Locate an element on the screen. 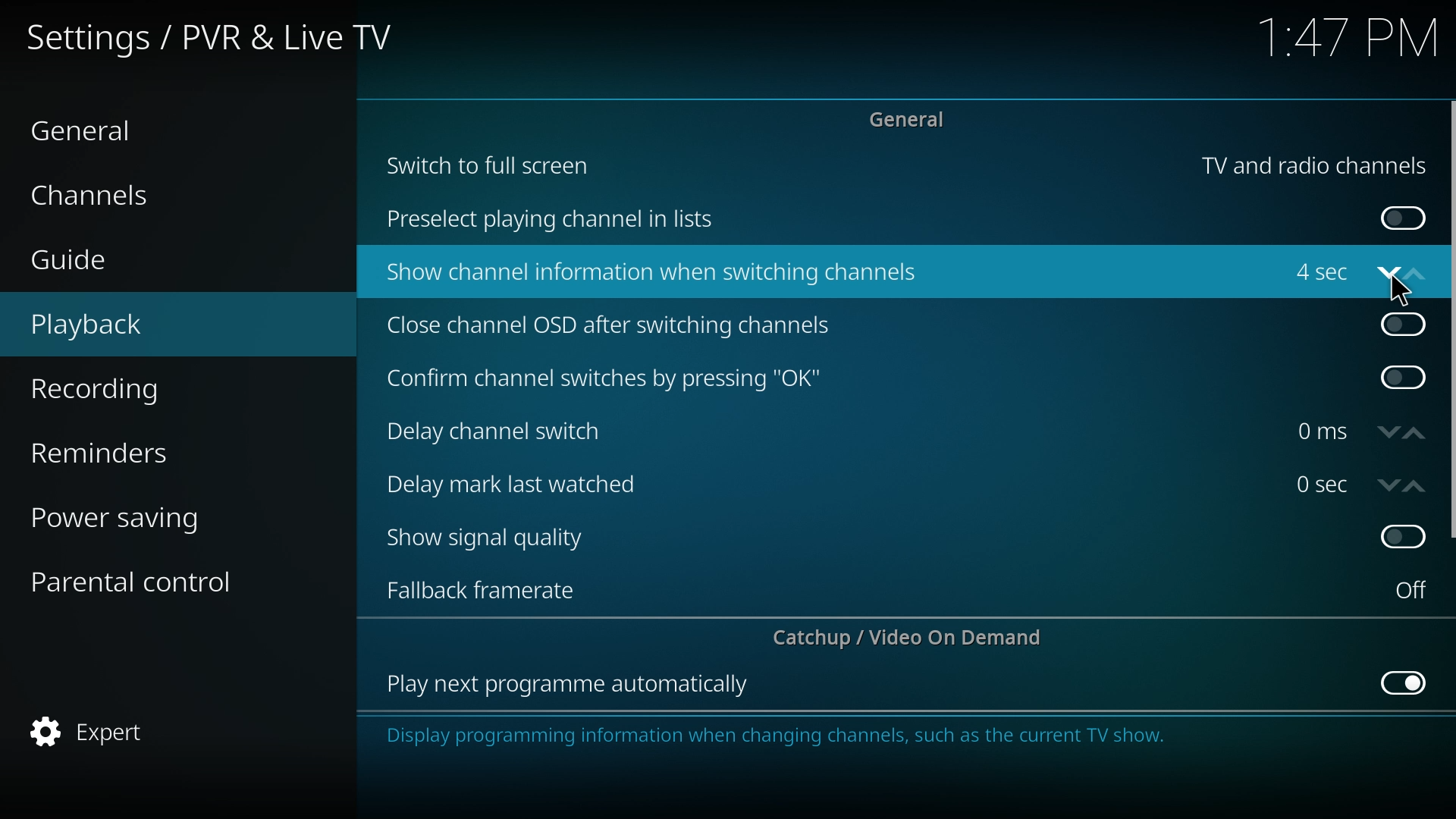 This screenshot has width=1456, height=819. off is located at coordinates (1406, 681).